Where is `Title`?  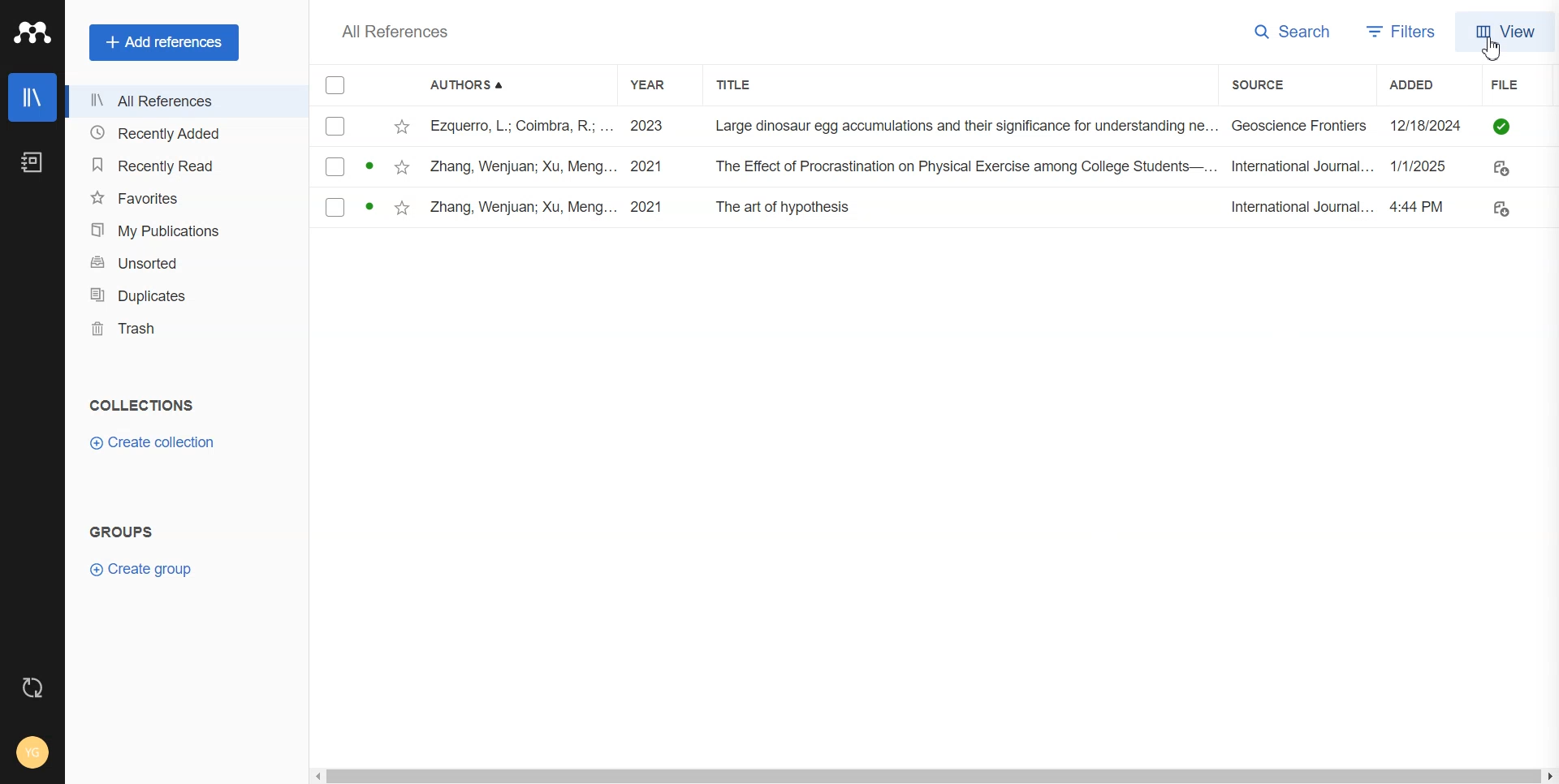
Title is located at coordinates (748, 85).